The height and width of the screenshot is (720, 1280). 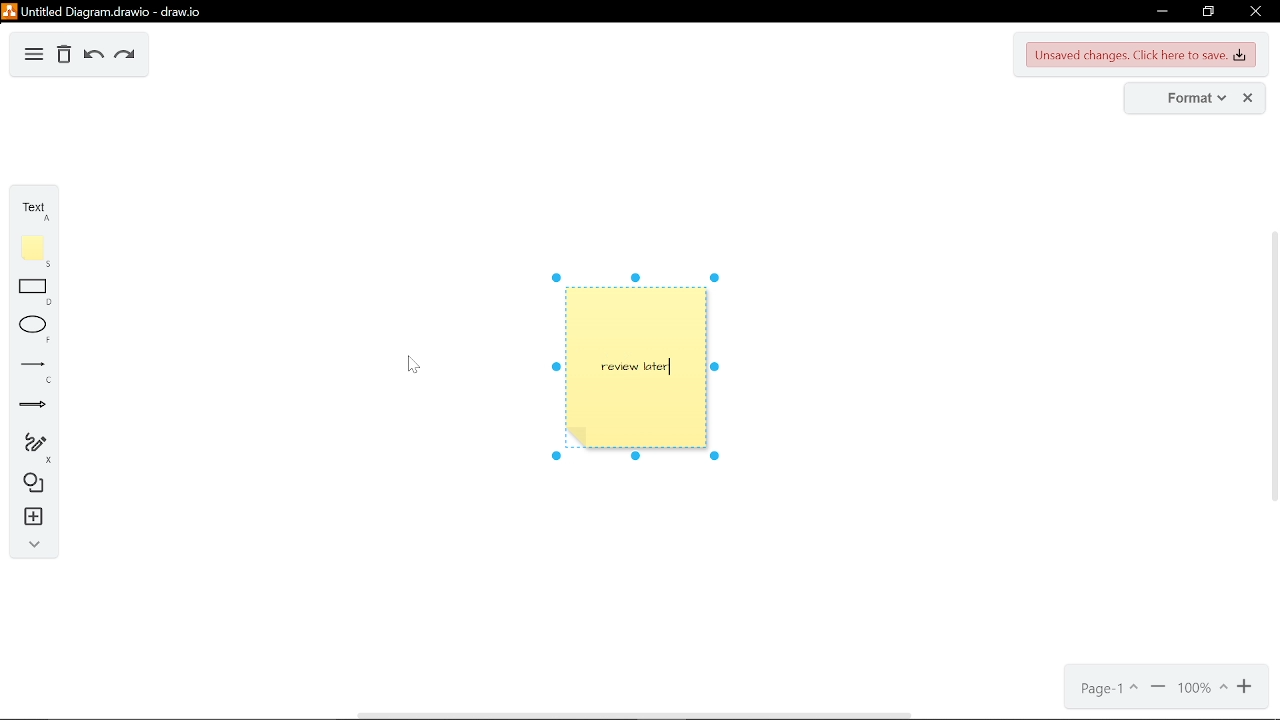 I want to click on zoom in, so click(x=1246, y=688).